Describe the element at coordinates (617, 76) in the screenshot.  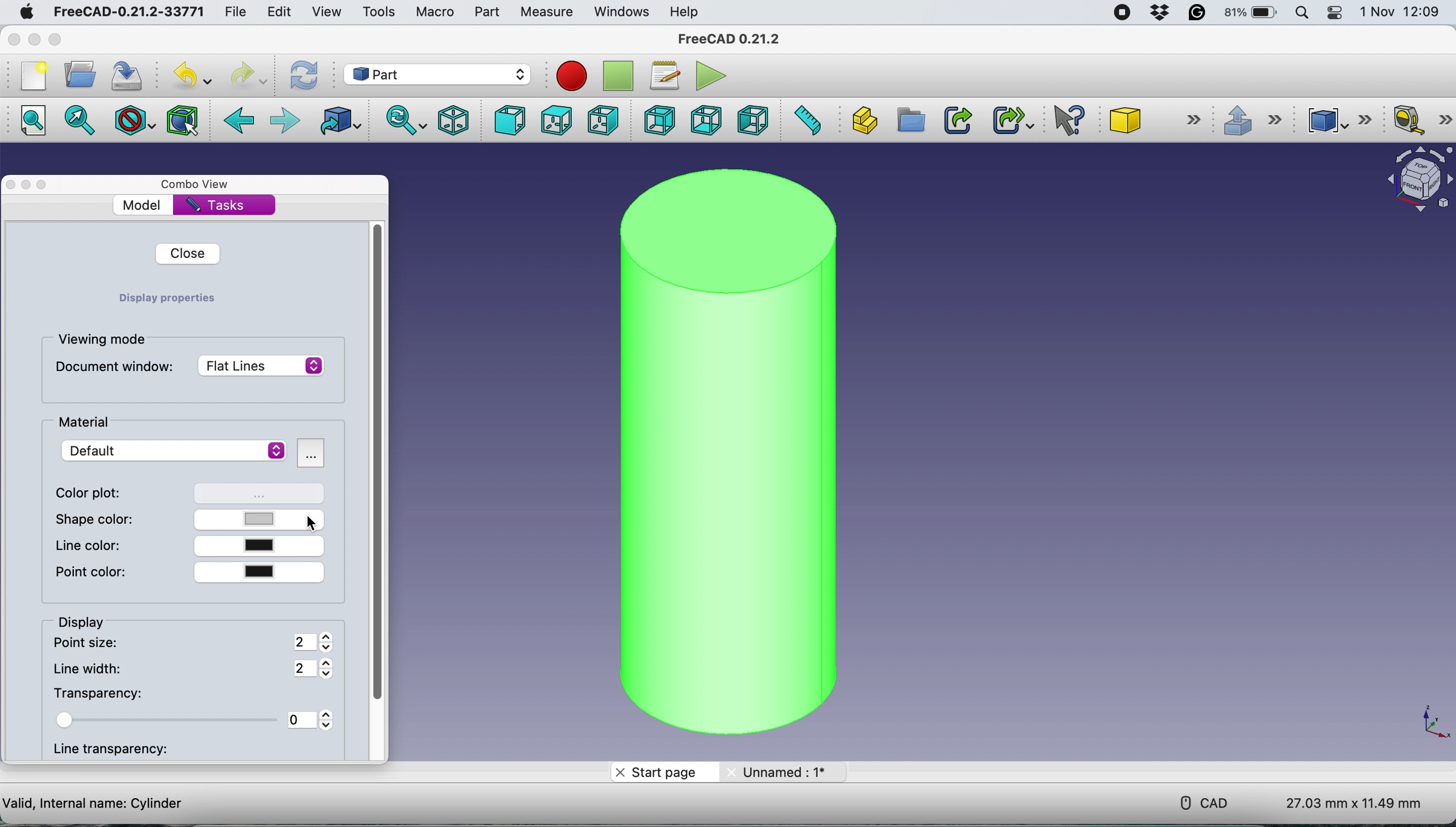
I see `stop recording macros` at that location.